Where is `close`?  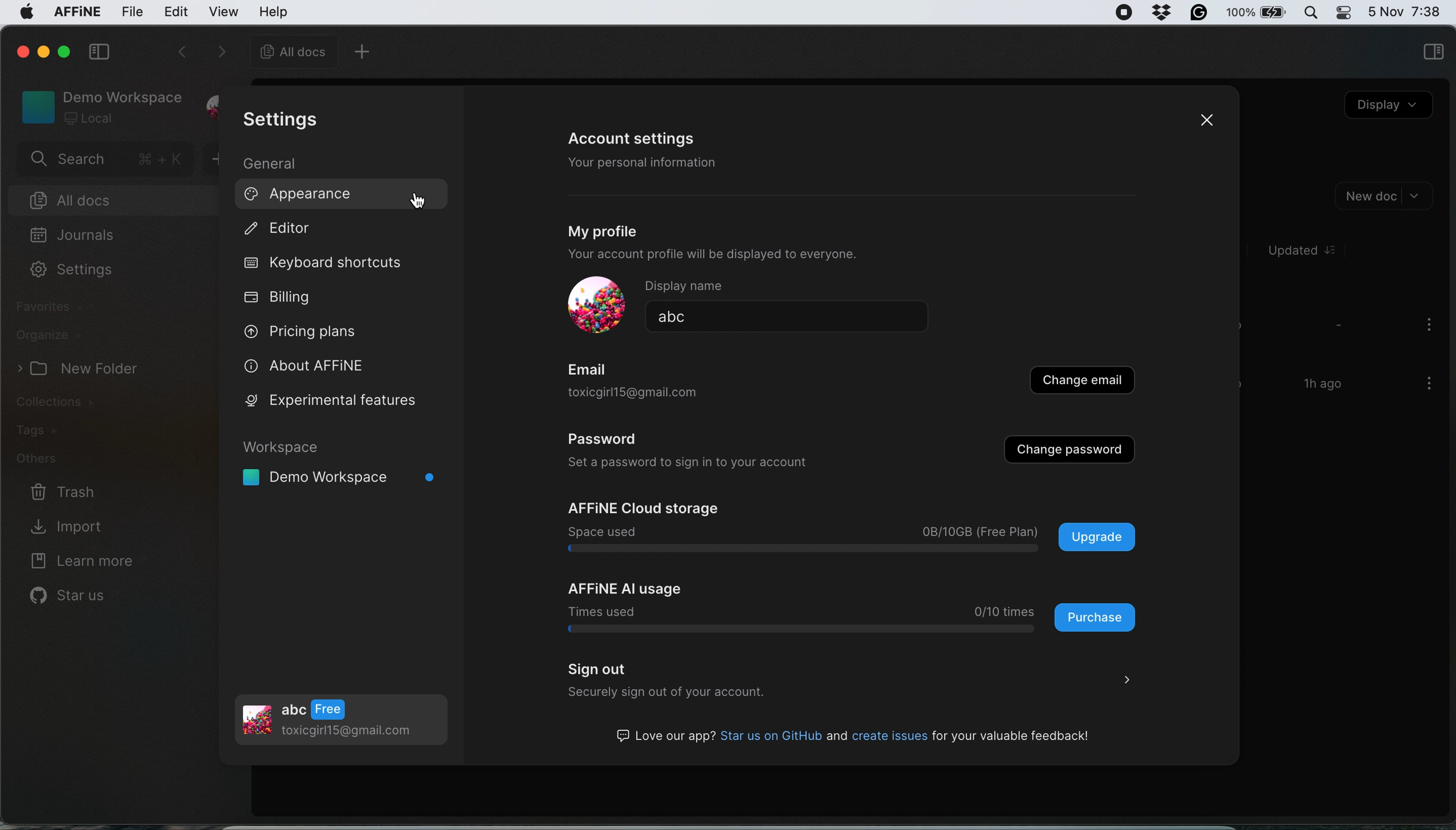 close is located at coordinates (21, 50).